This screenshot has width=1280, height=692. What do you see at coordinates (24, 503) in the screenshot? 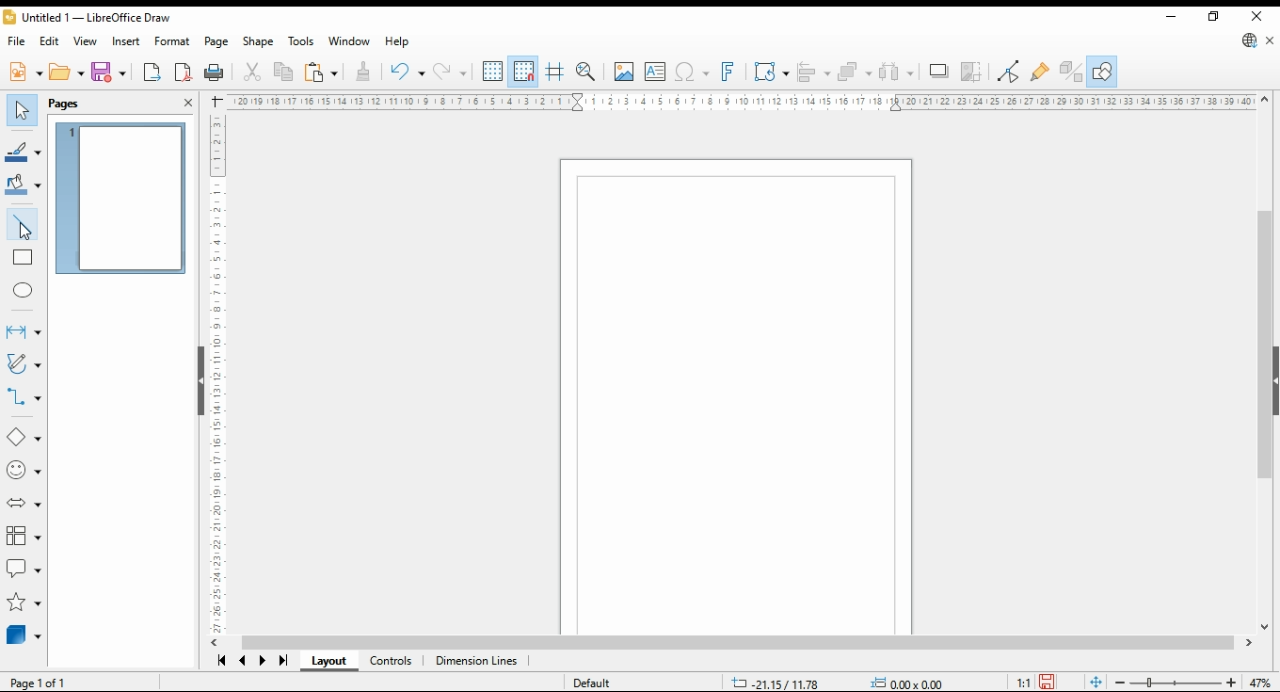
I see `block arrows` at bounding box center [24, 503].